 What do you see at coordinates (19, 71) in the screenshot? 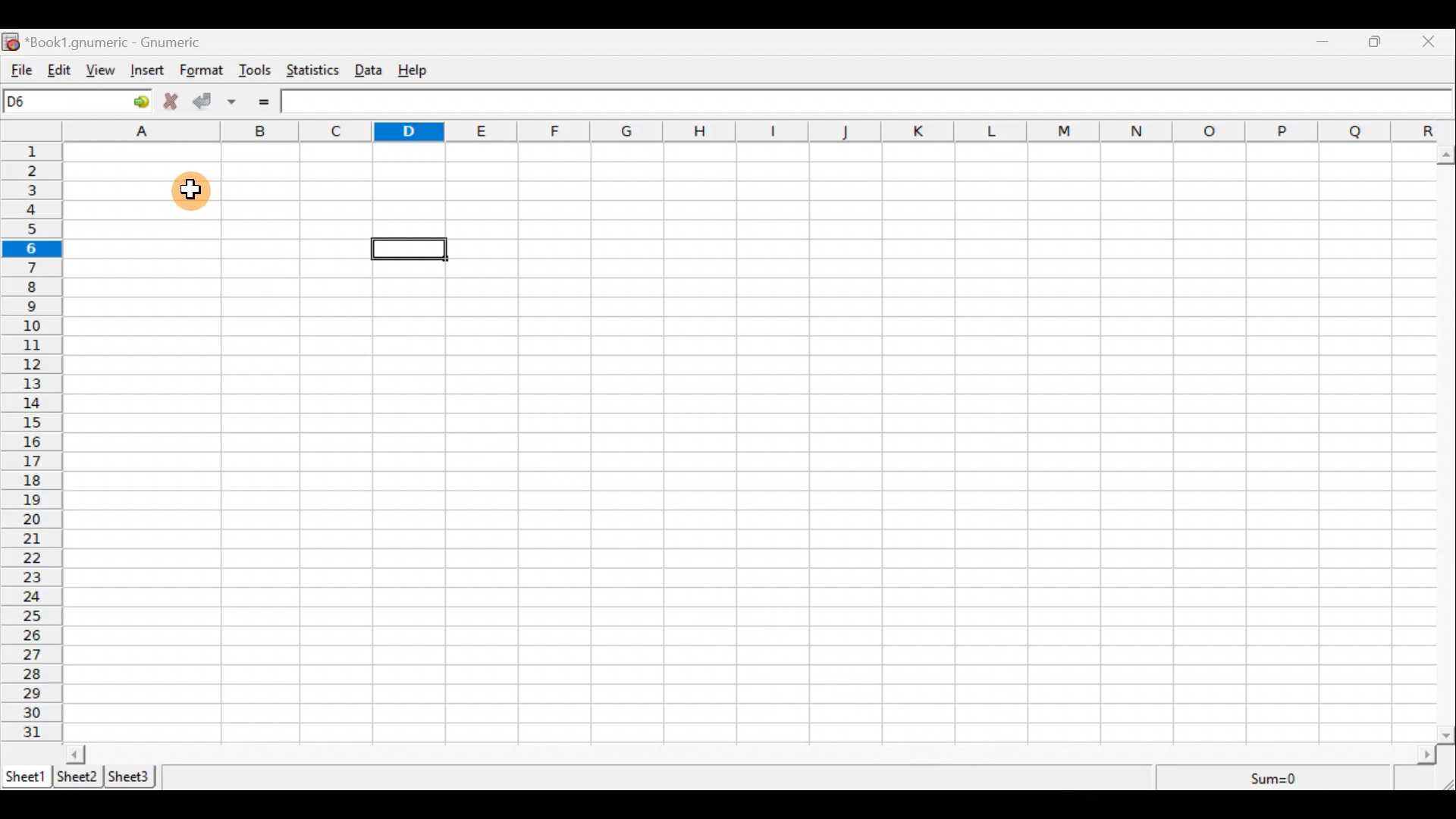
I see `File` at bounding box center [19, 71].